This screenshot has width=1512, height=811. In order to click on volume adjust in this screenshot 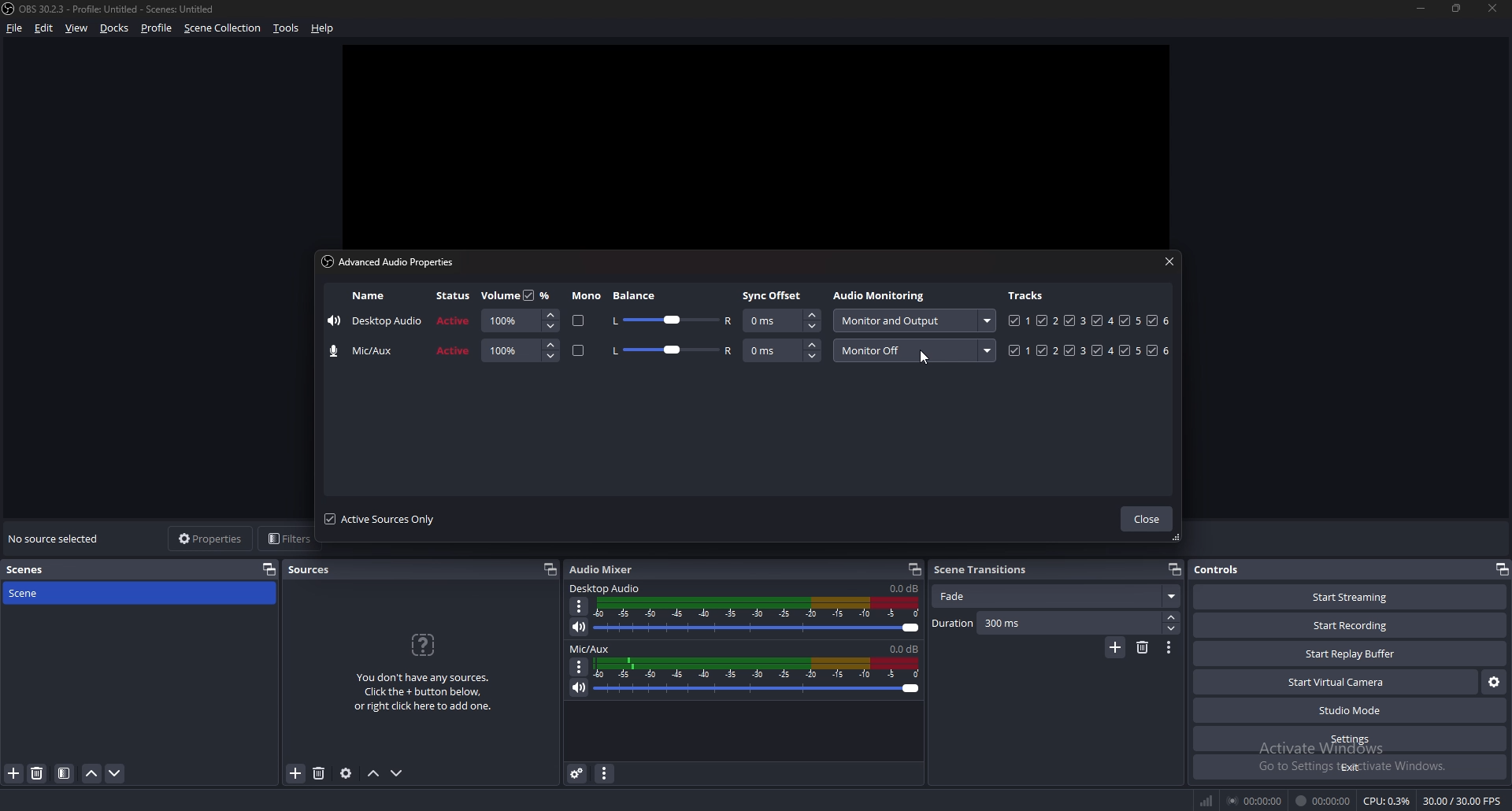, I will do `click(757, 617)`.